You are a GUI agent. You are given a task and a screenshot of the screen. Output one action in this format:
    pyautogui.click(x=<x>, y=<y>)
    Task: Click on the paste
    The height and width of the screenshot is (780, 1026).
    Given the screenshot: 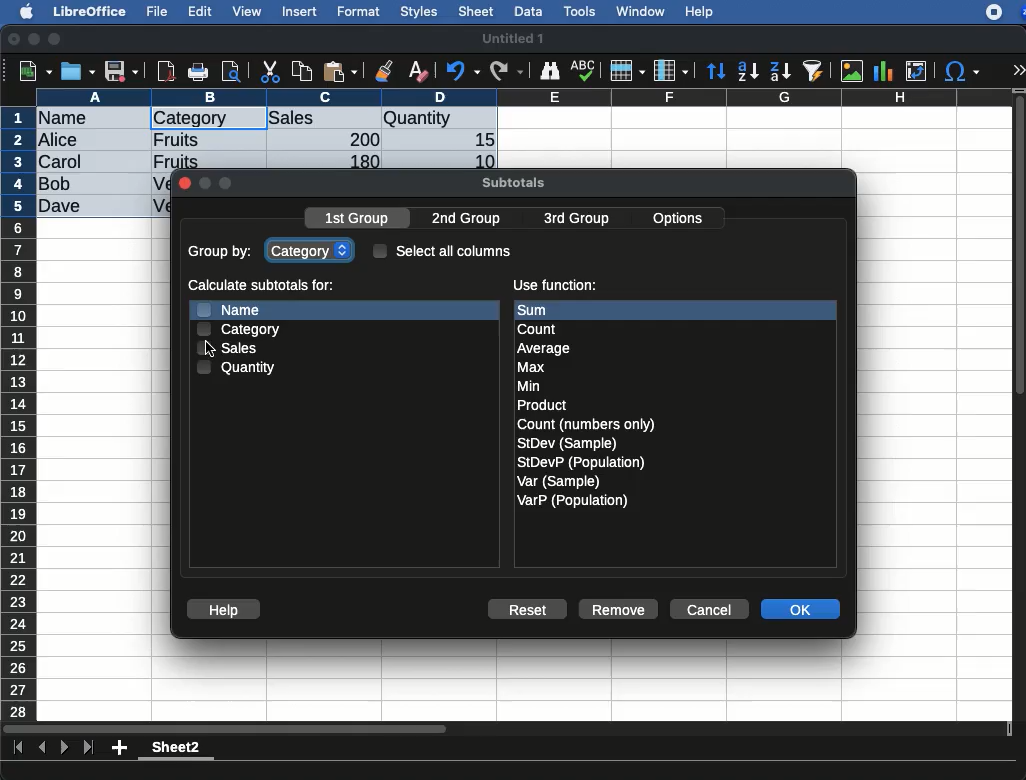 What is the action you would take?
    pyautogui.click(x=339, y=71)
    